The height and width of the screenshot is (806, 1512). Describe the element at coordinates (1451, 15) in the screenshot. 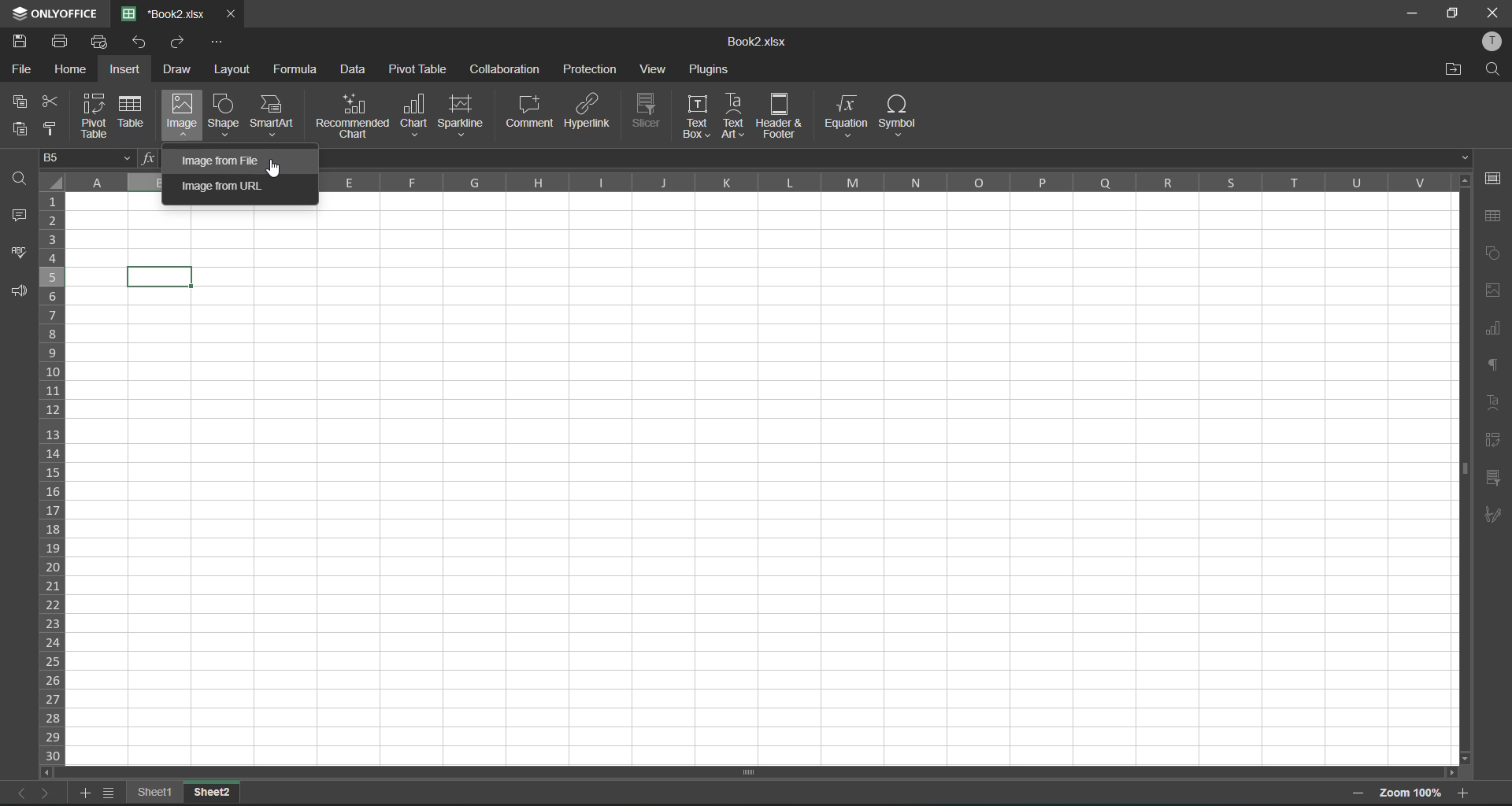

I see `maximize` at that location.